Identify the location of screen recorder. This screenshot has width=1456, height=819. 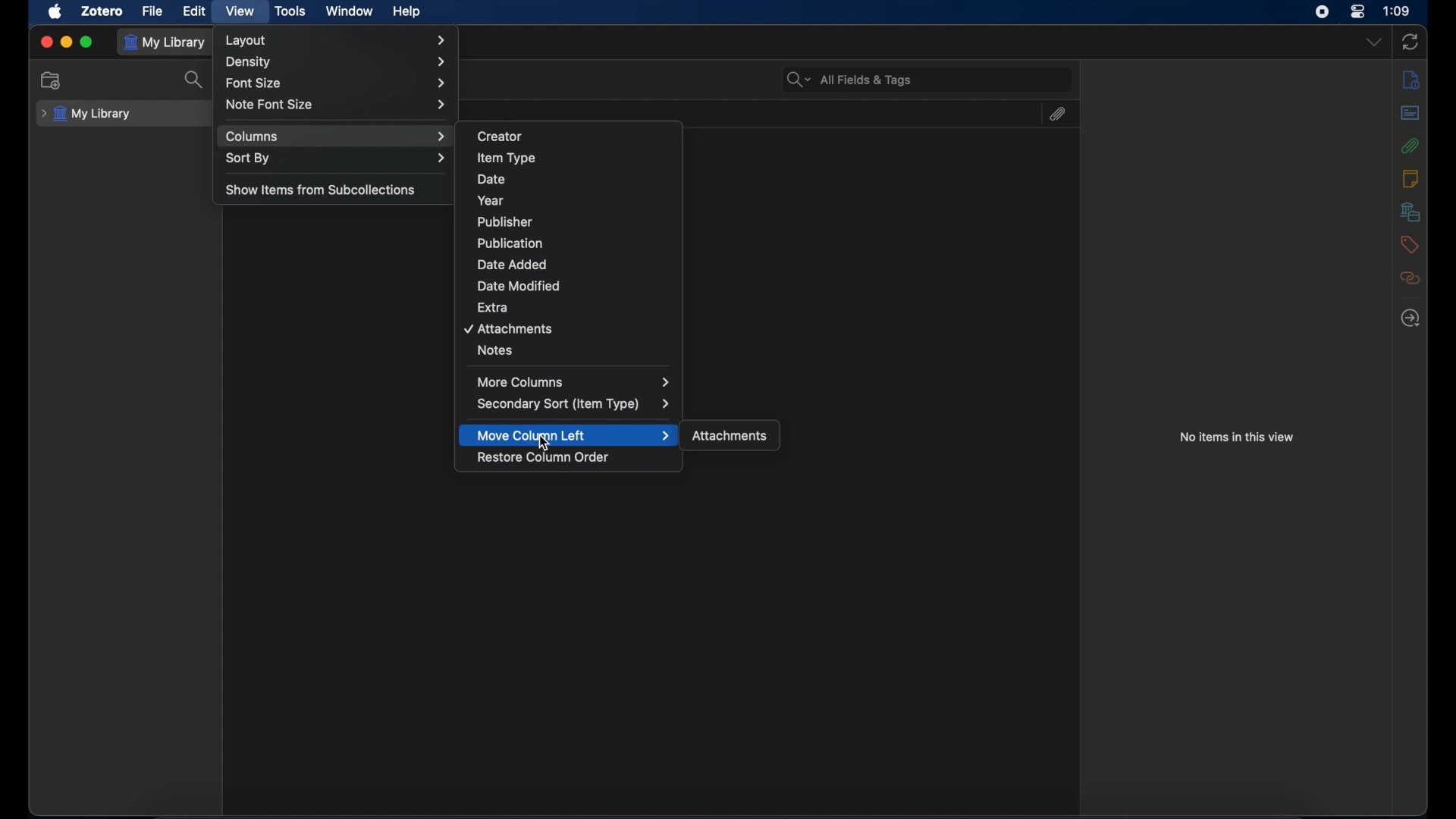
(1323, 12).